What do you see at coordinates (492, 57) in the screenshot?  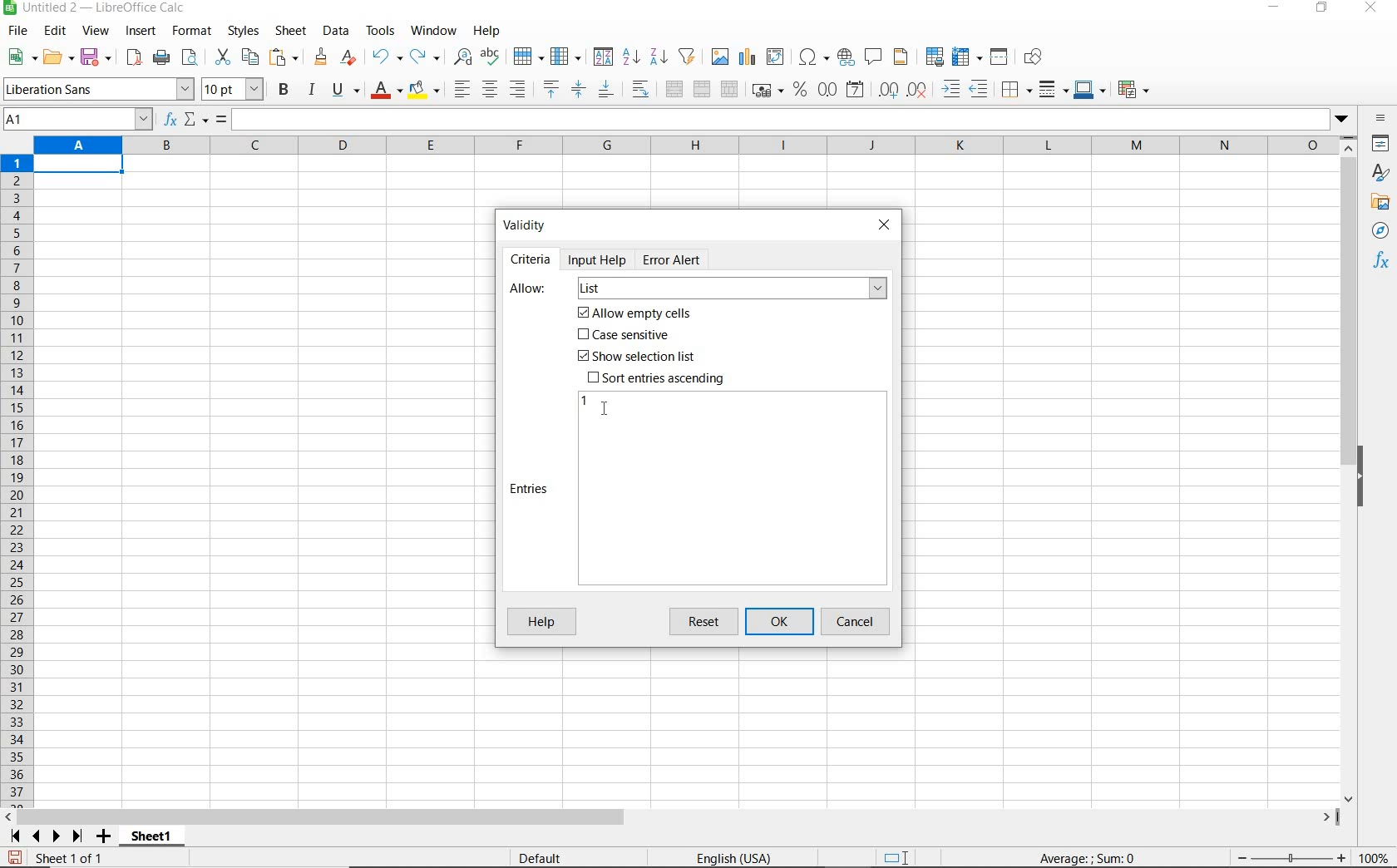 I see `spelling` at bounding box center [492, 57].